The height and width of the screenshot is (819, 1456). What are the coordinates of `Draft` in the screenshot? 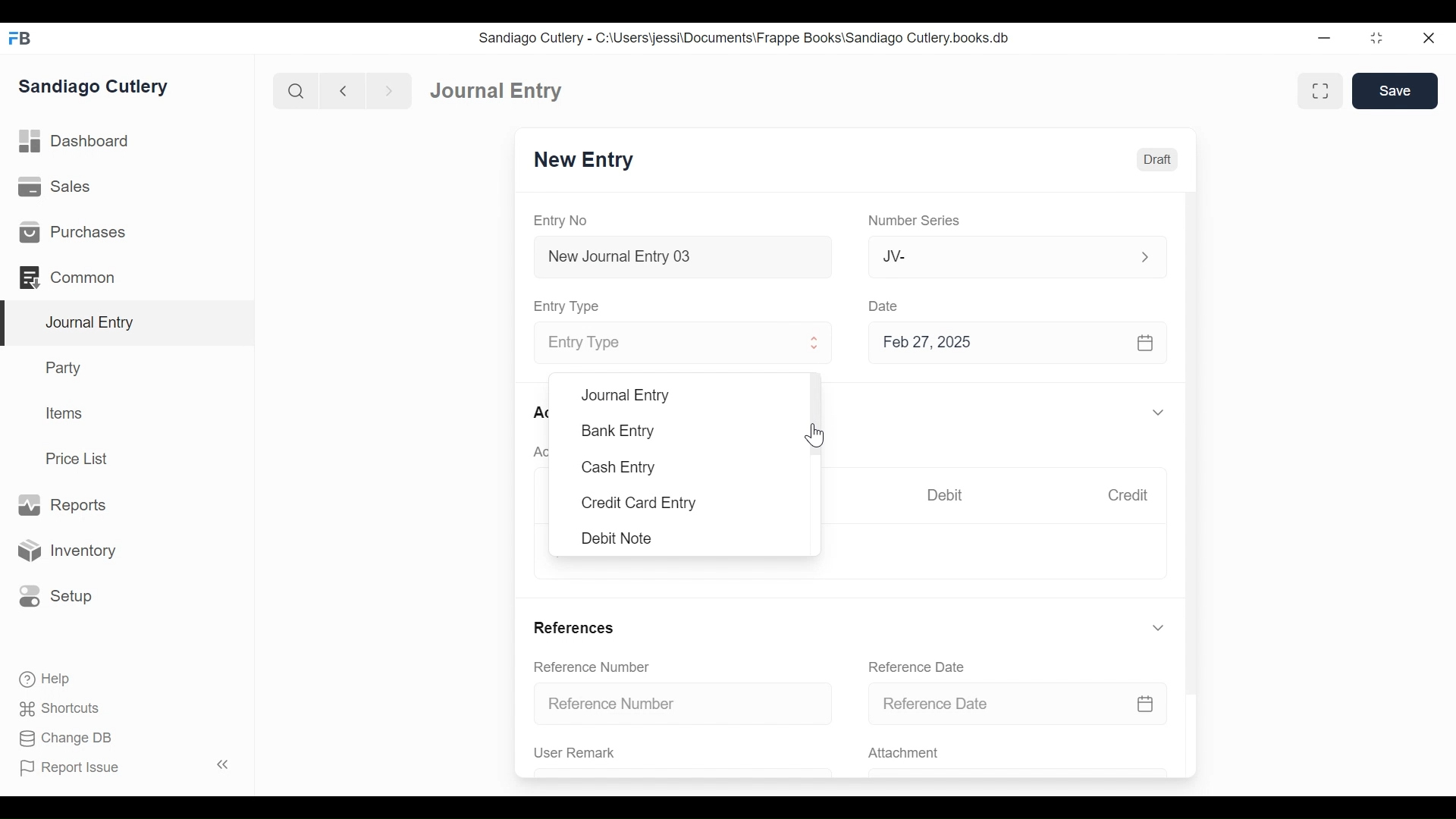 It's located at (1156, 161).